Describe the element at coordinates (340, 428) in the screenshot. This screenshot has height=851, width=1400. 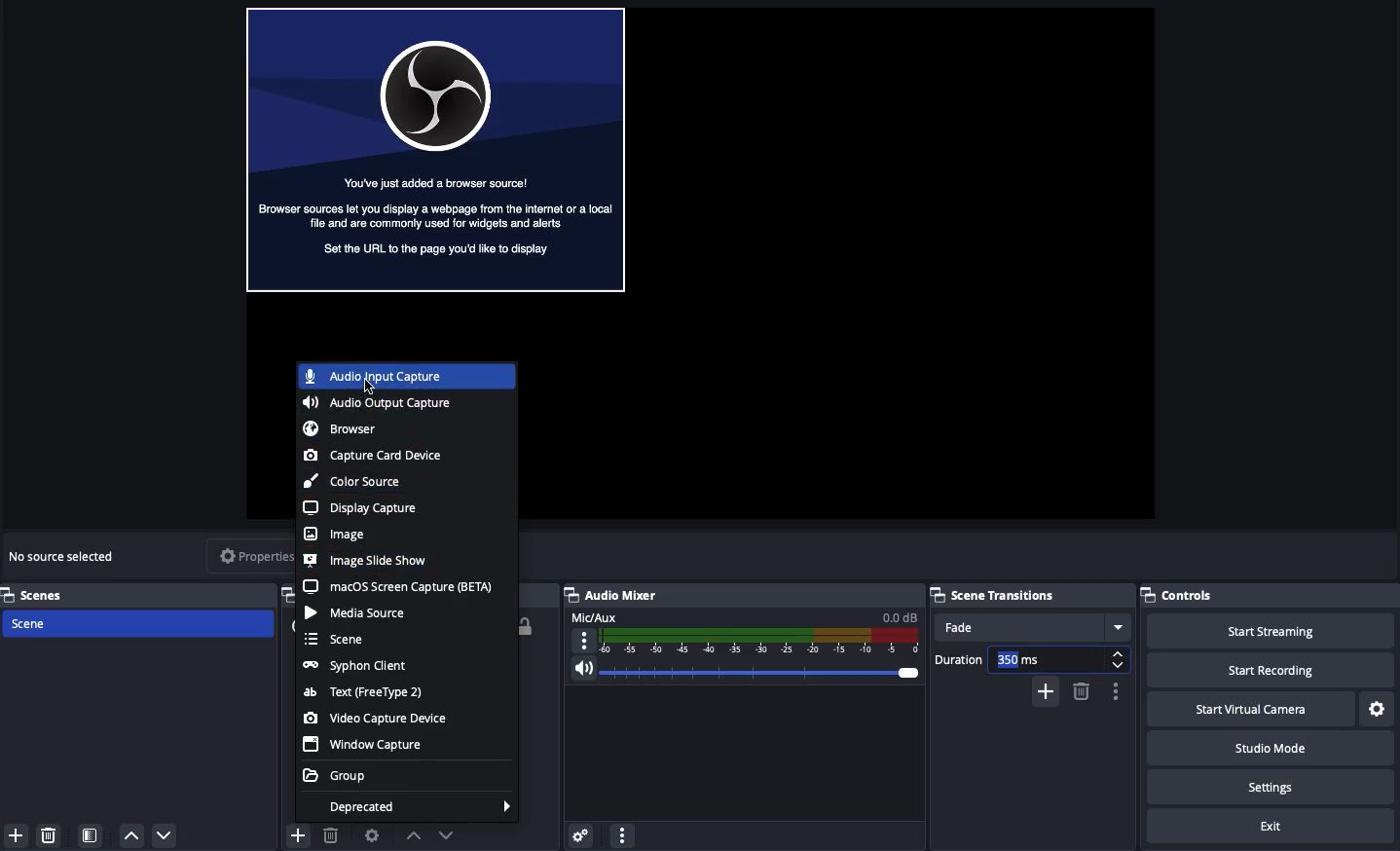
I see `Browser` at that location.